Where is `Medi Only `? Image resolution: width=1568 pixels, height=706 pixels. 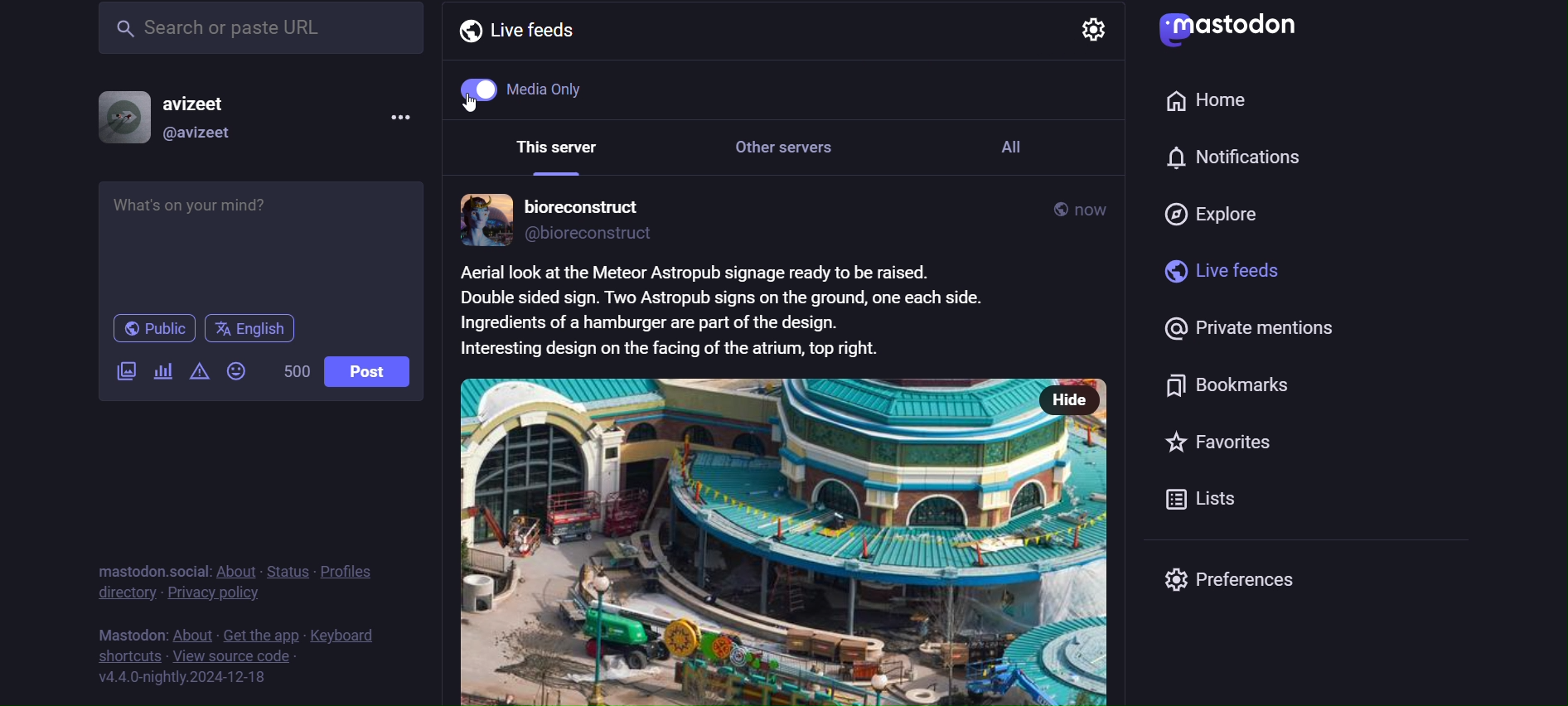 Medi Only  is located at coordinates (533, 91).